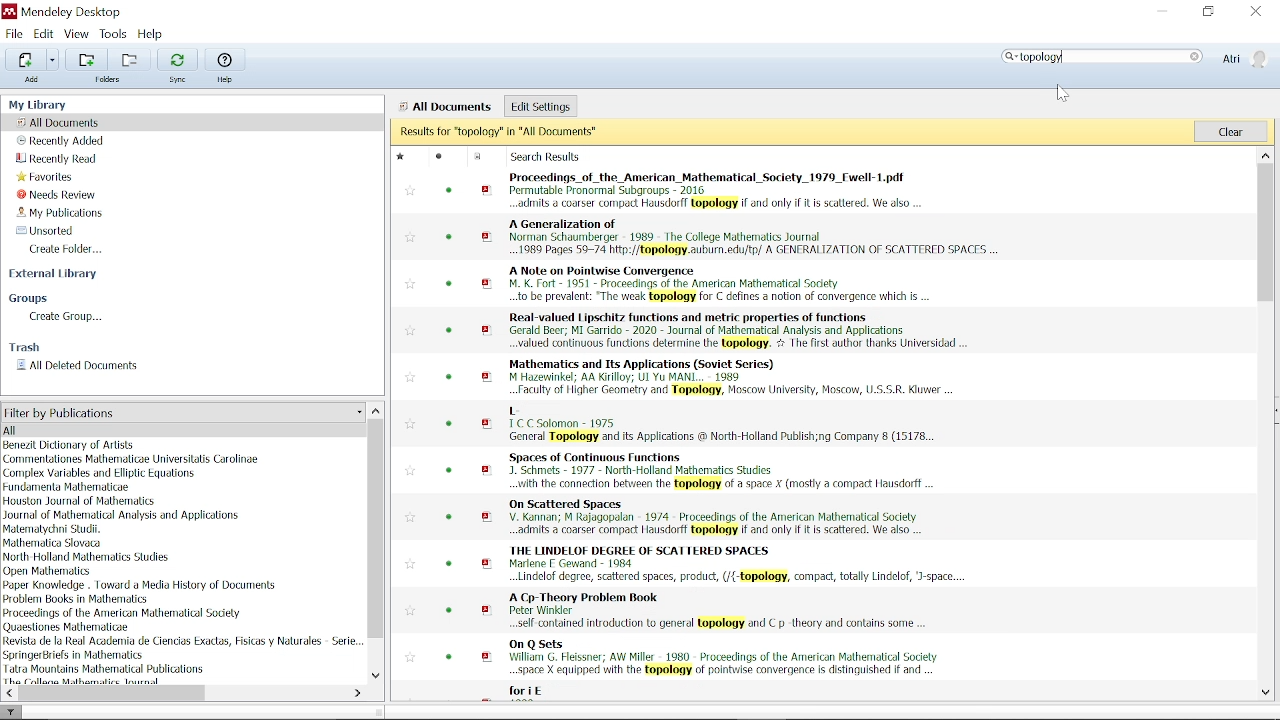 This screenshot has height=720, width=1280. Describe the element at coordinates (49, 104) in the screenshot. I see `my library` at that location.